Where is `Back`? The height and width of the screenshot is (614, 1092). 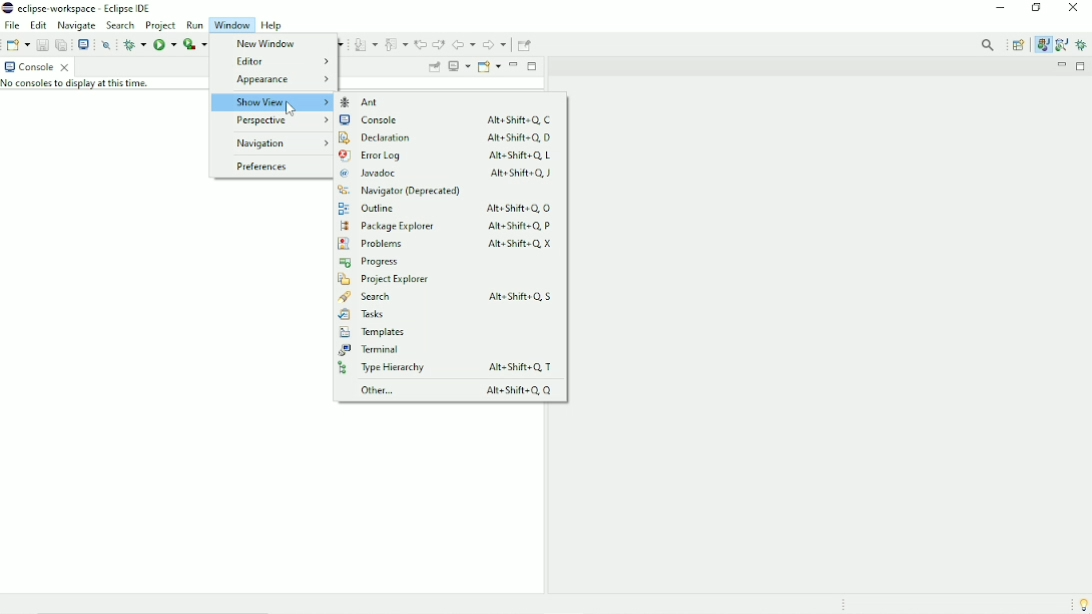
Back is located at coordinates (464, 45).